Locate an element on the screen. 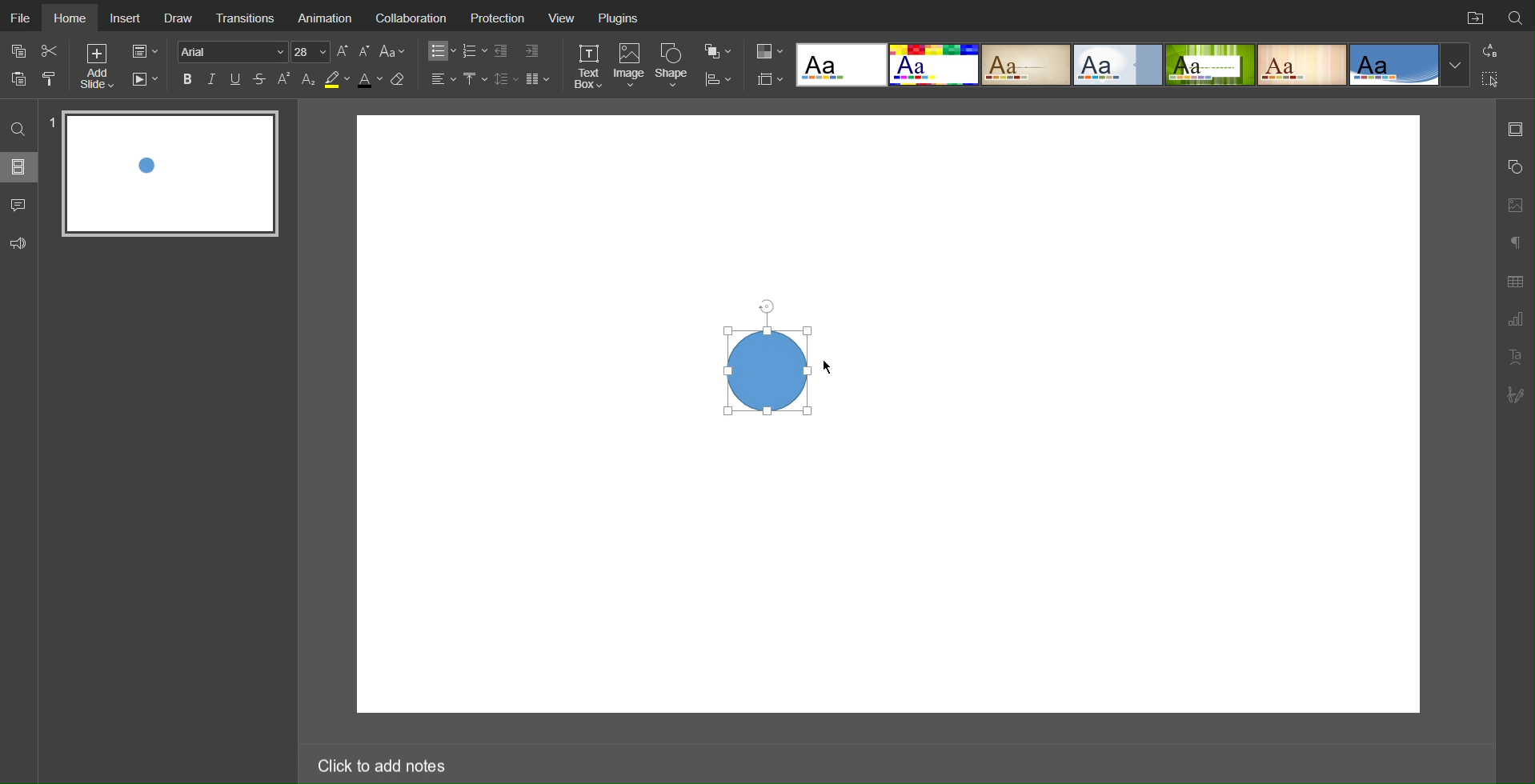 The height and width of the screenshot is (784, 1535). Selection is located at coordinates (1491, 78).